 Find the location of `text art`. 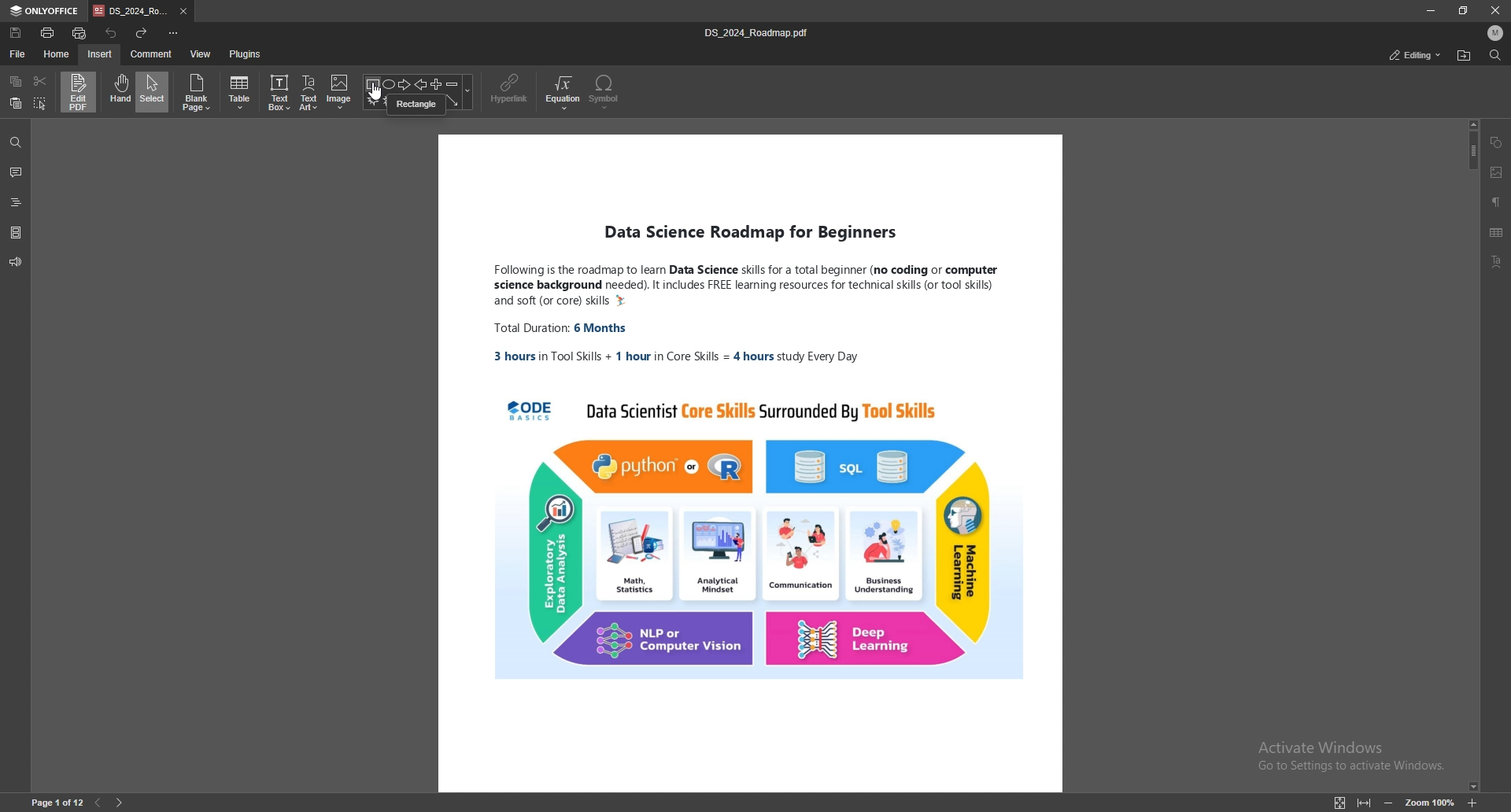

text art is located at coordinates (1501, 261).